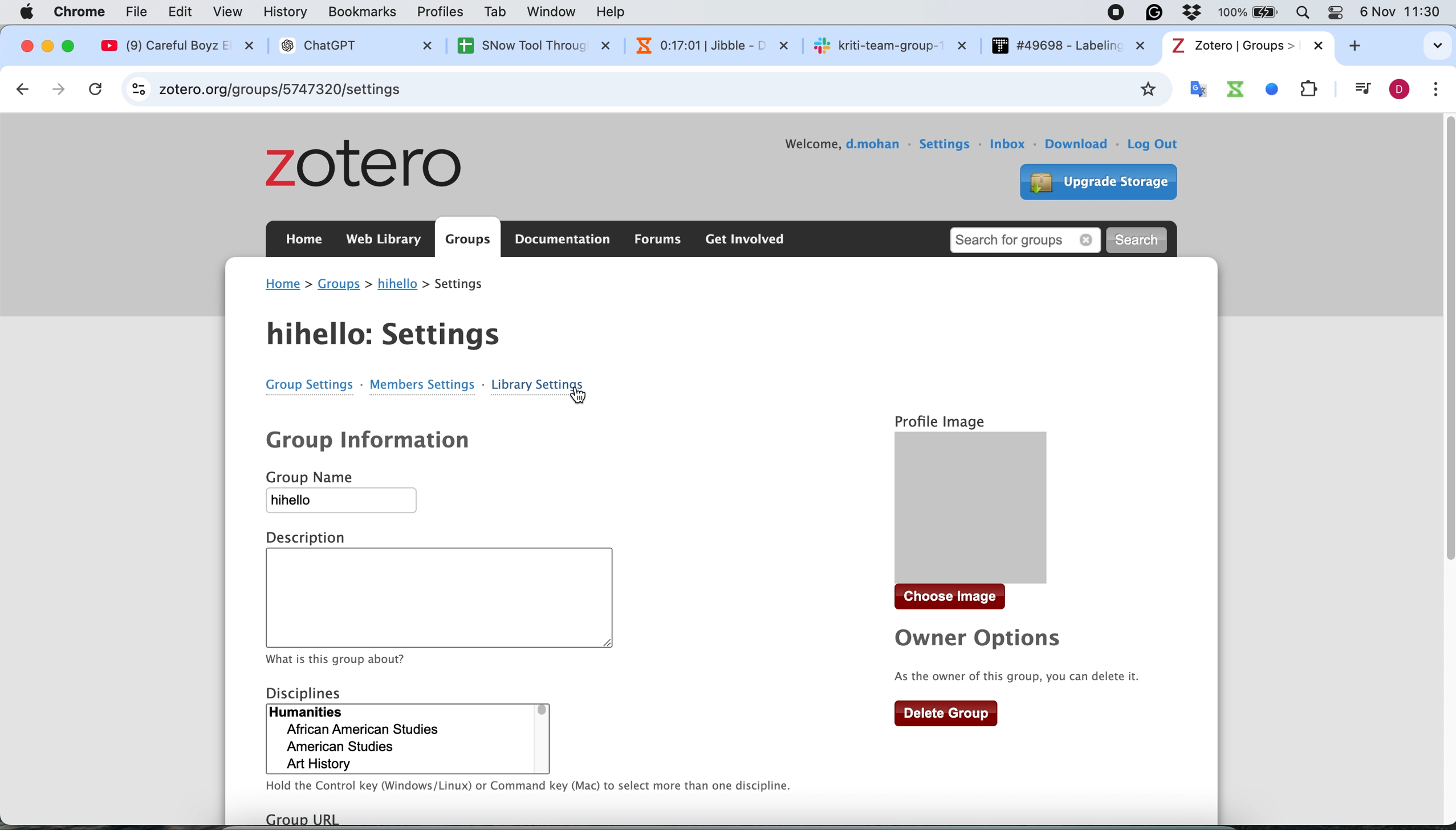 Image resolution: width=1456 pixels, height=830 pixels. What do you see at coordinates (424, 384) in the screenshot?
I see `group settings` at bounding box center [424, 384].